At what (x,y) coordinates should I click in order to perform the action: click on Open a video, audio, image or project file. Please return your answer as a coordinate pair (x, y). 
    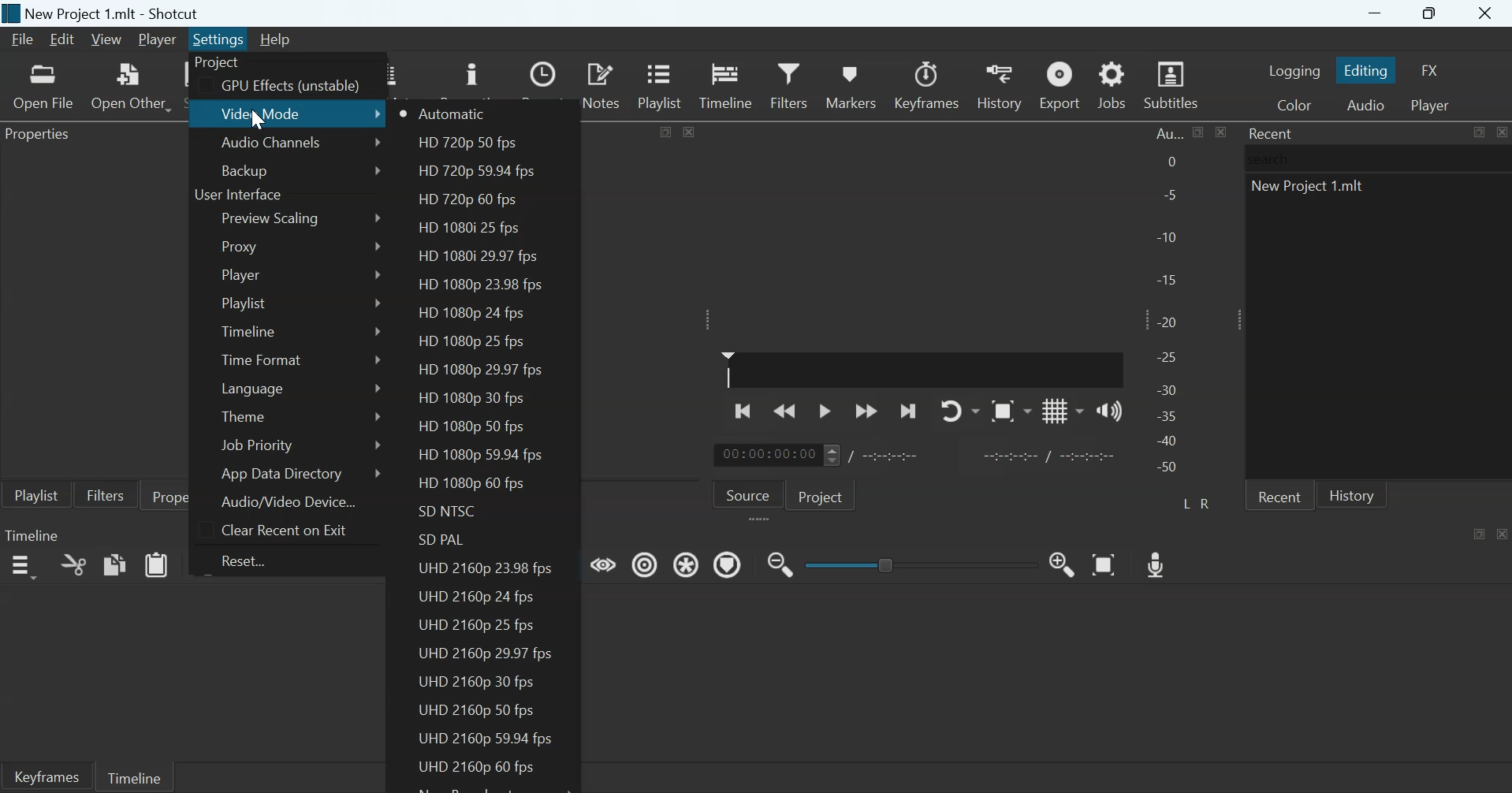
    Looking at the image, I should click on (44, 87).